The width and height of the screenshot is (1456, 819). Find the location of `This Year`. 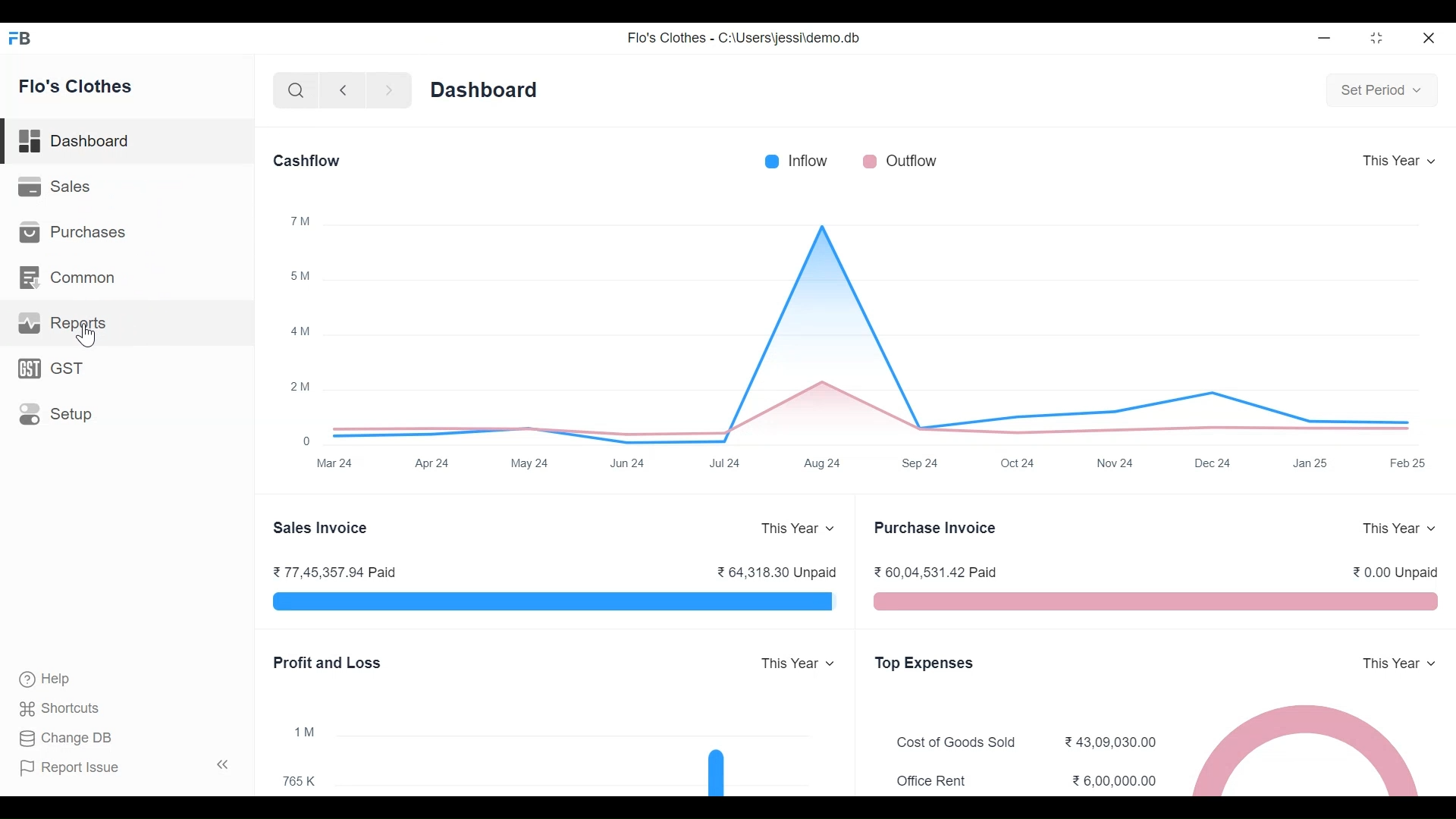

This Year is located at coordinates (1390, 663).